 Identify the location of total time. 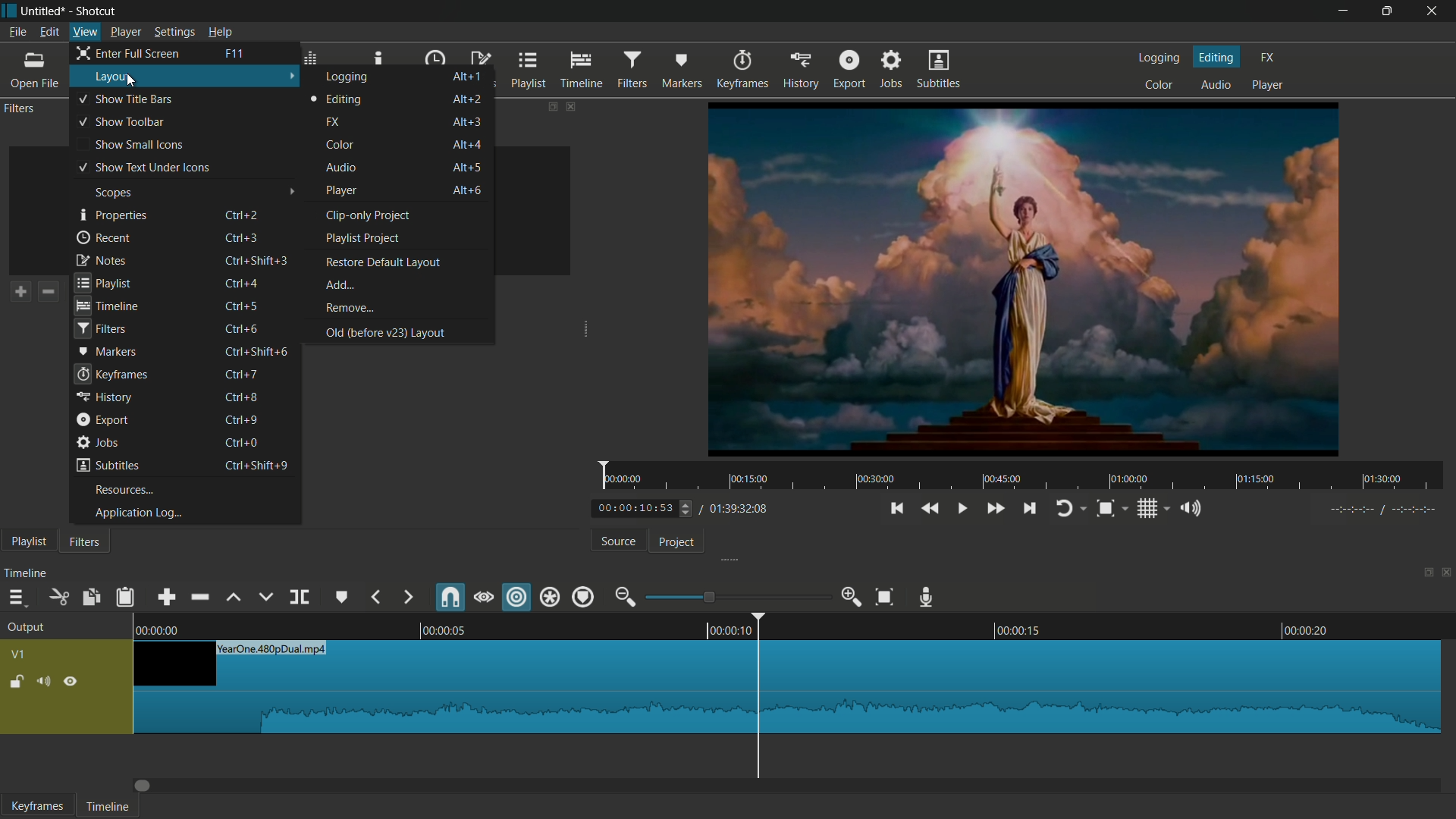
(736, 510).